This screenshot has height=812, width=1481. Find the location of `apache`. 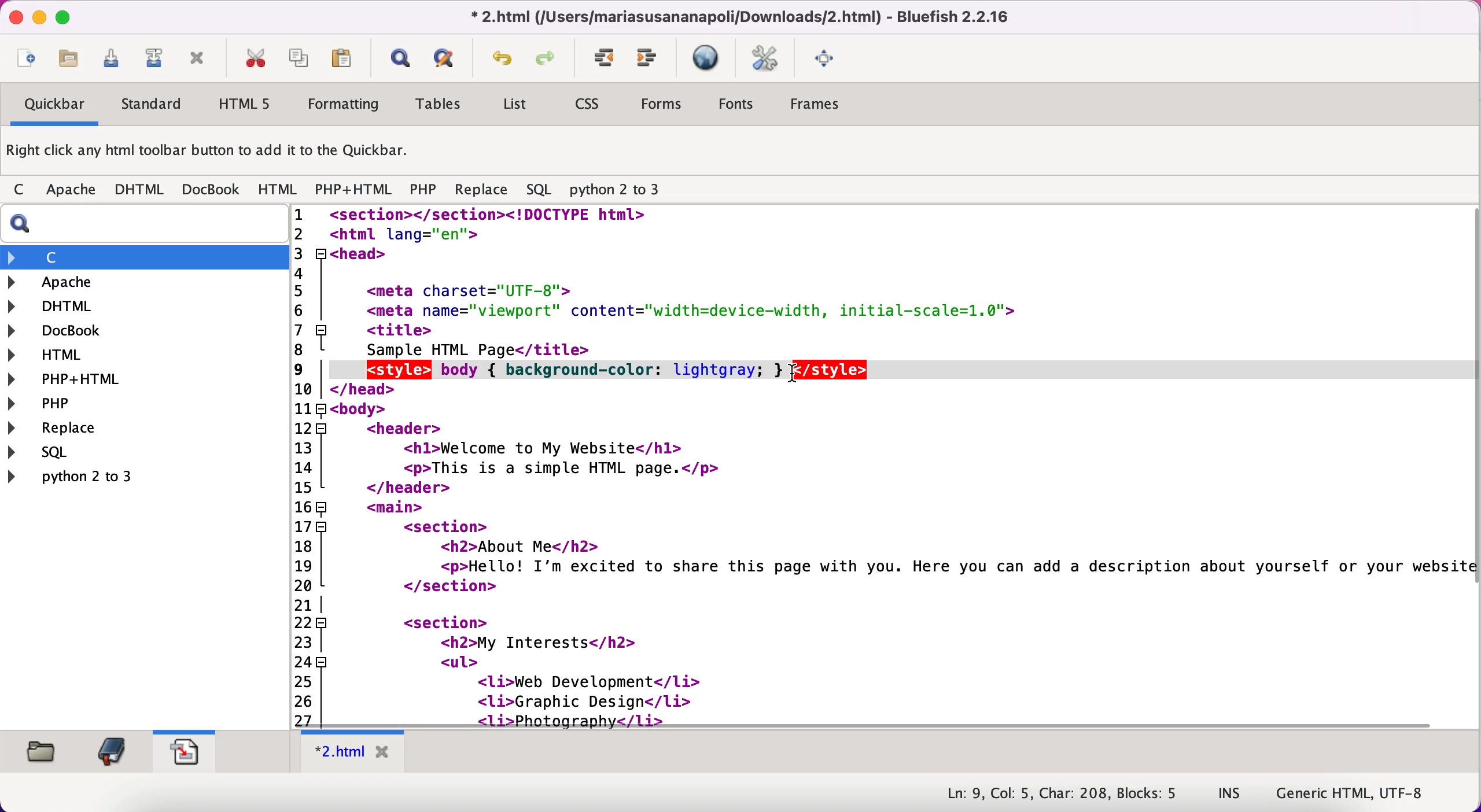

apache is located at coordinates (115, 282).